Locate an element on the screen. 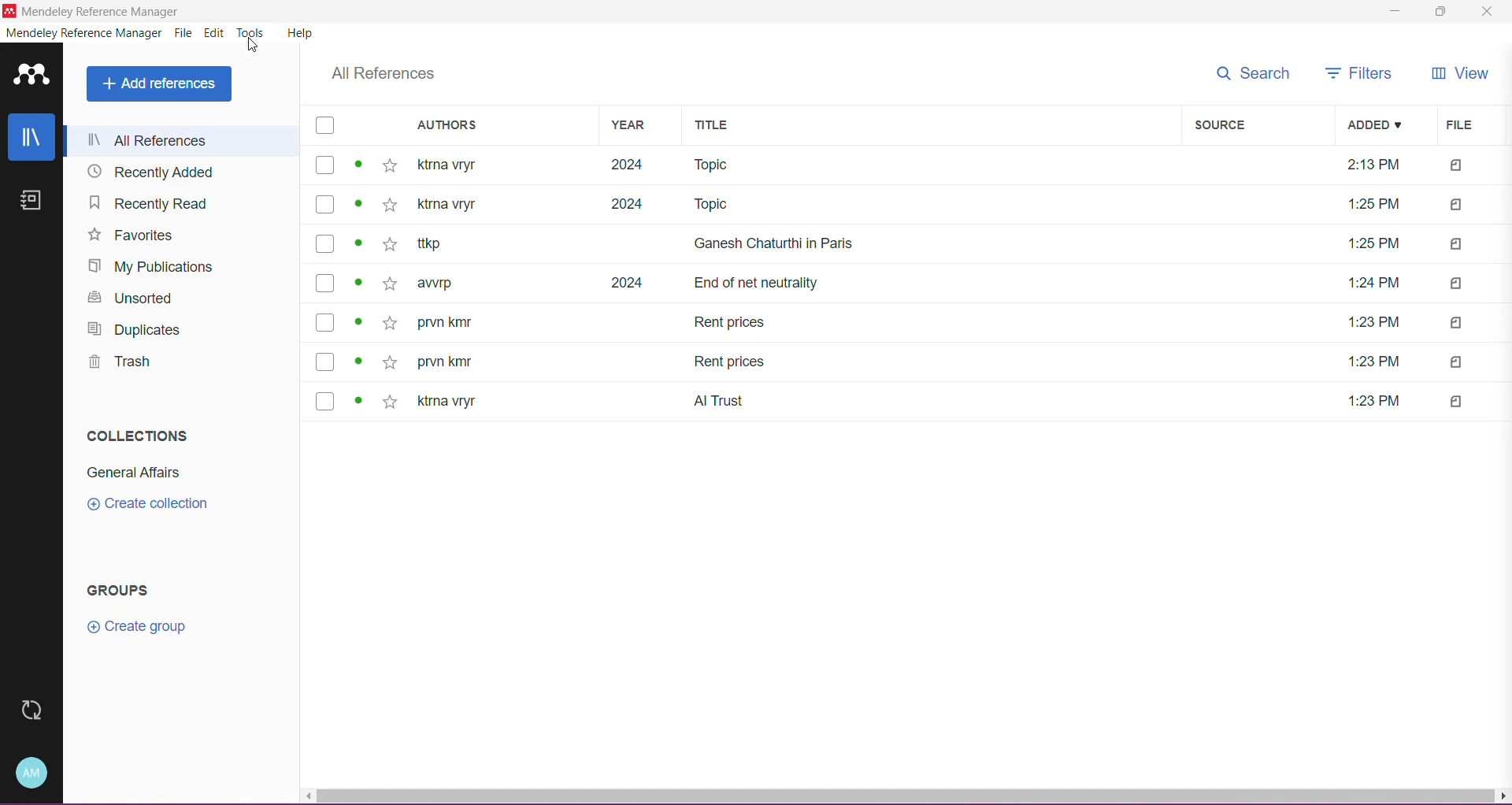  Duplicates is located at coordinates (139, 332).